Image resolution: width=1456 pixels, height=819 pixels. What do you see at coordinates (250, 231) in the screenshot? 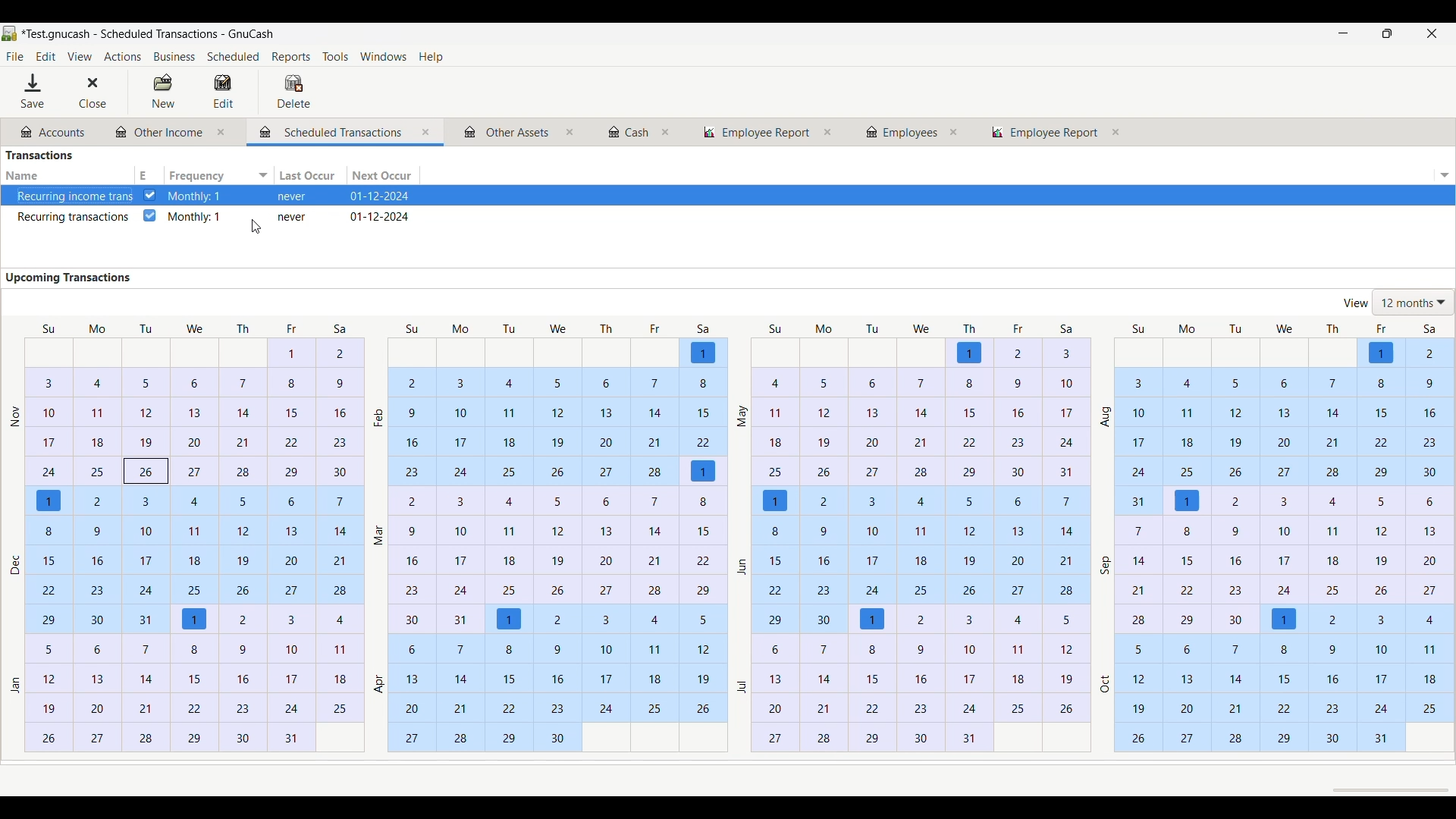
I see `cursor` at bounding box center [250, 231].